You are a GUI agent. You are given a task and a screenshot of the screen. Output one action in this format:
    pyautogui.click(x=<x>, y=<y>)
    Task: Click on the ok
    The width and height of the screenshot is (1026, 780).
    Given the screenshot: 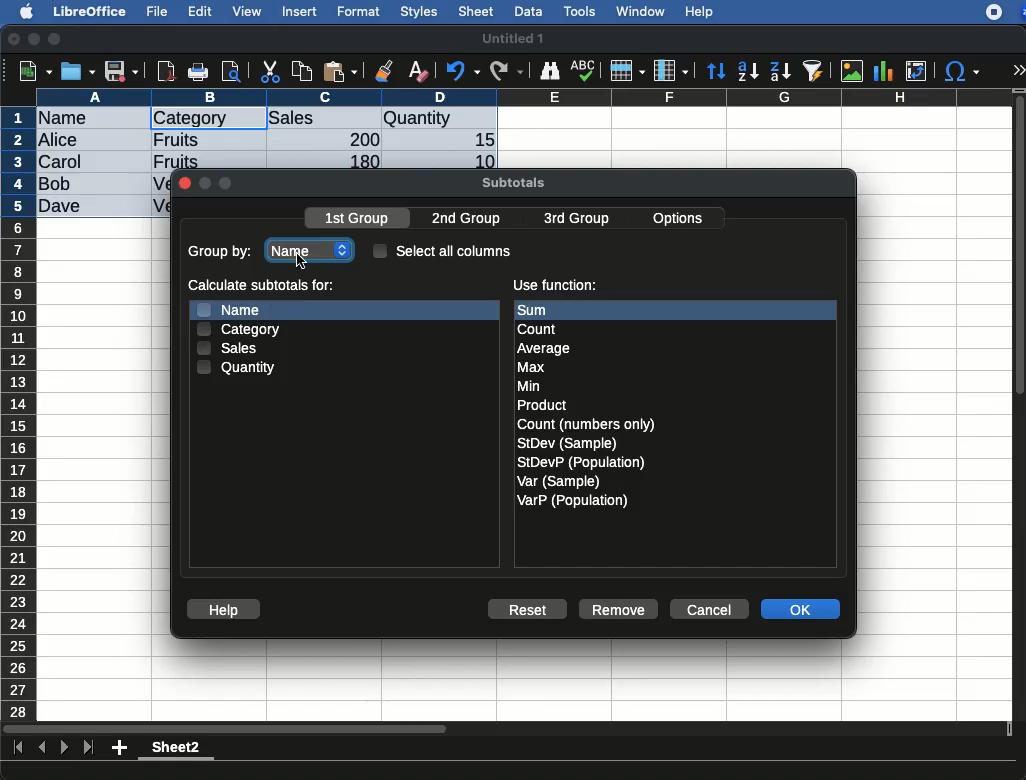 What is the action you would take?
    pyautogui.click(x=803, y=611)
    